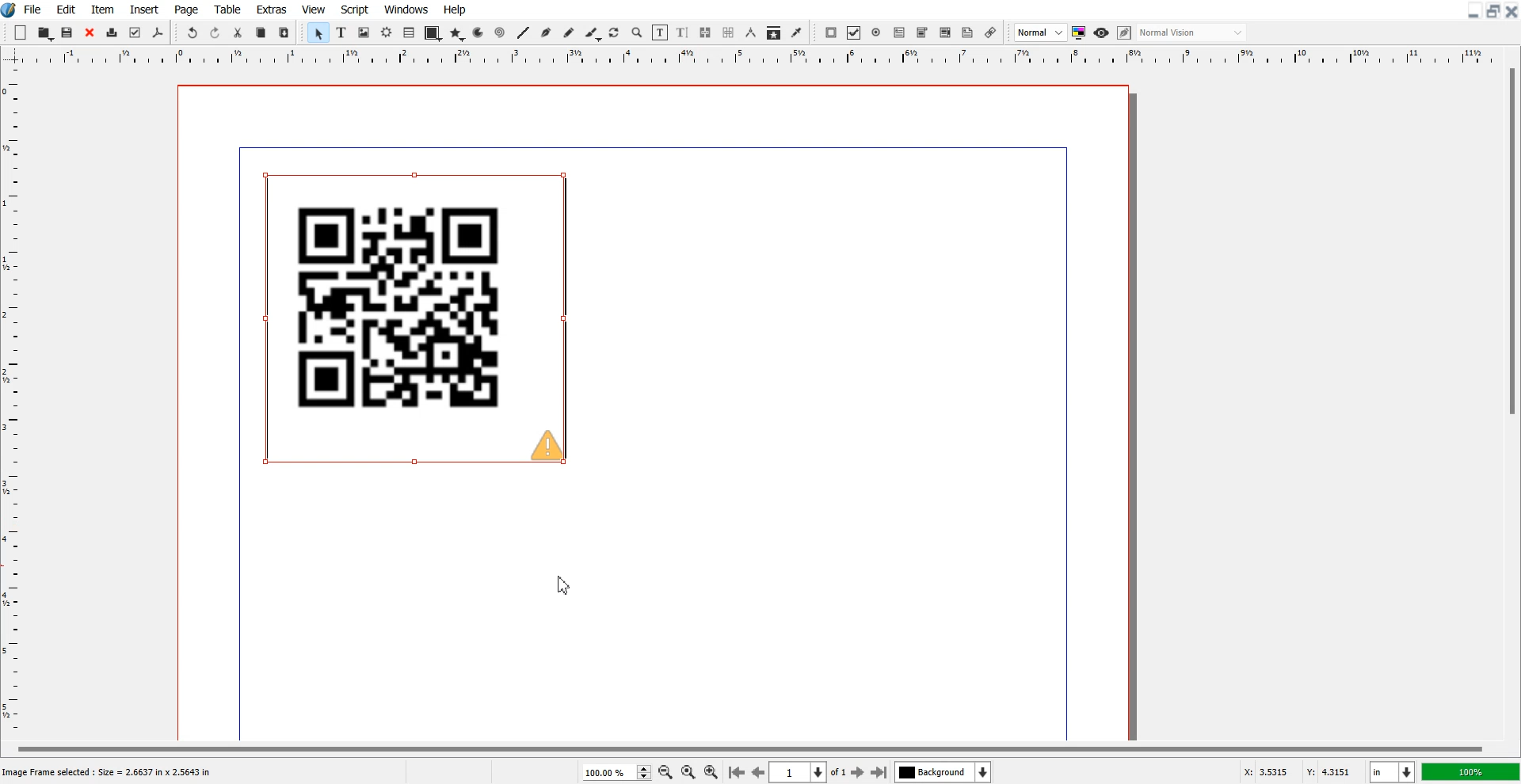 This screenshot has height=784, width=1521. What do you see at coordinates (854, 32) in the screenshot?
I see `PDF Check Box` at bounding box center [854, 32].